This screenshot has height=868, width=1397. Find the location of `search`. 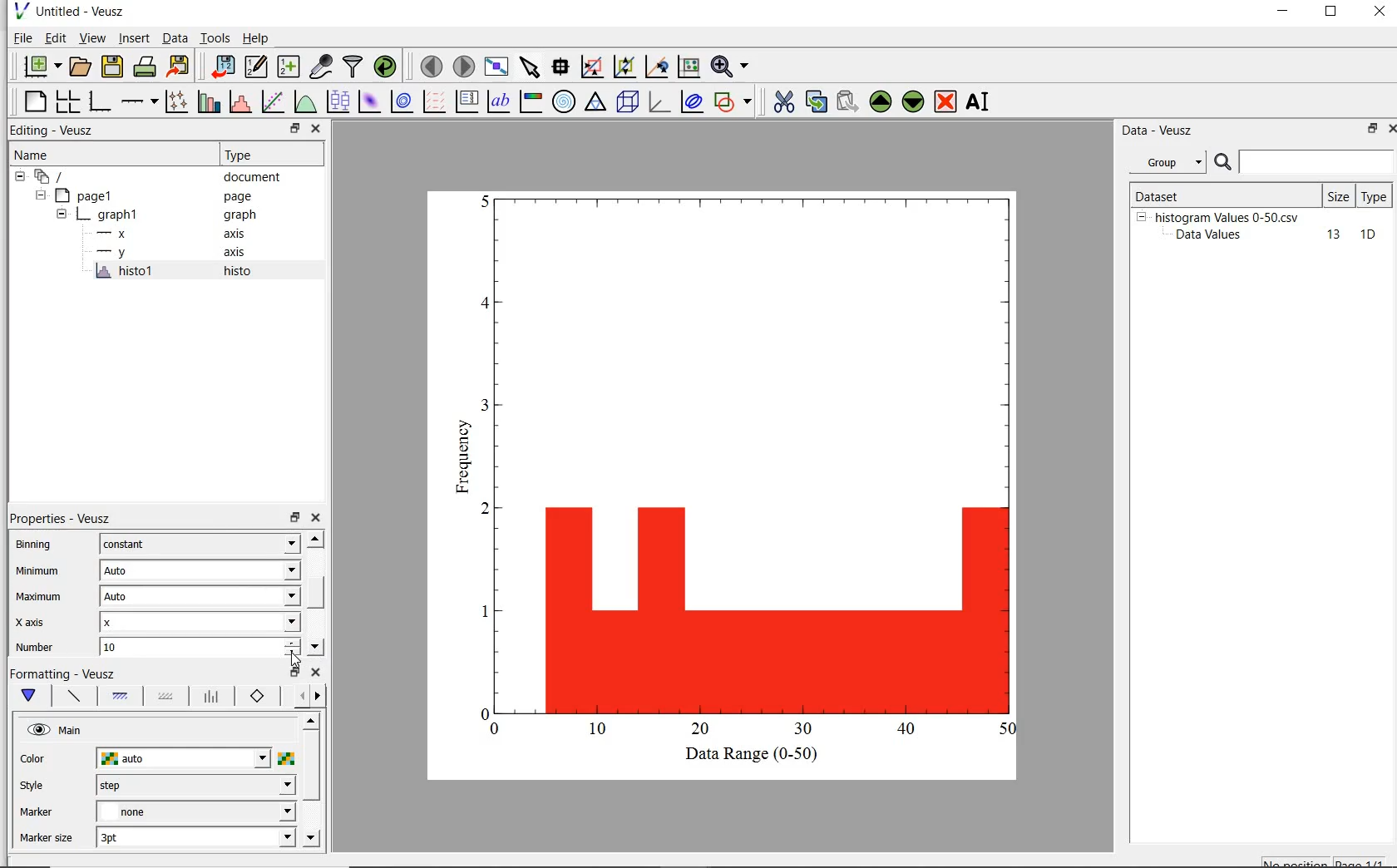

search is located at coordinates (1224, 163).